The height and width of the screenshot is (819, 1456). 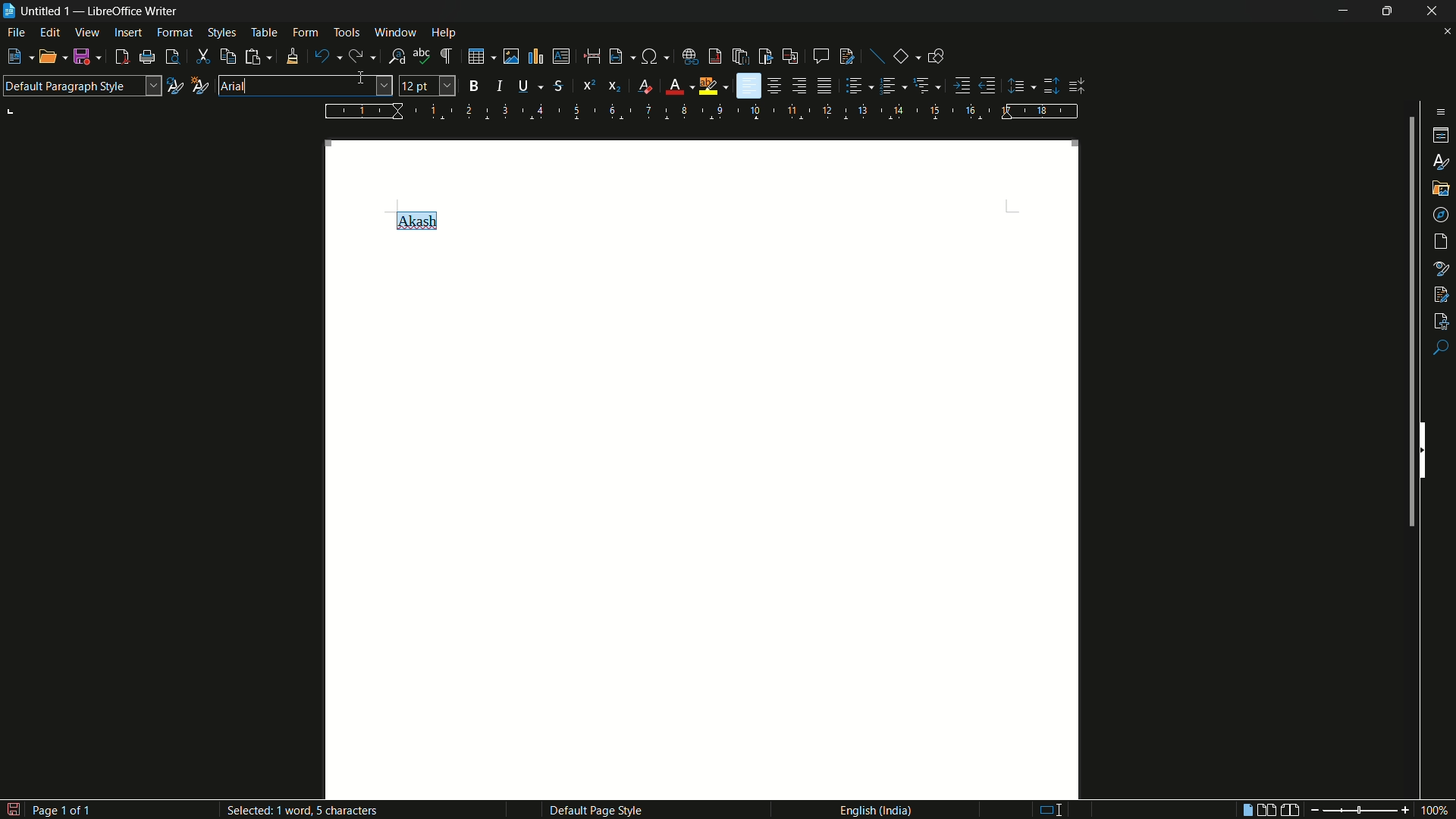 What do you see at coordinates (1433, 11) in the screenshot?
I see `close app` at bounding box center [1433, 11].